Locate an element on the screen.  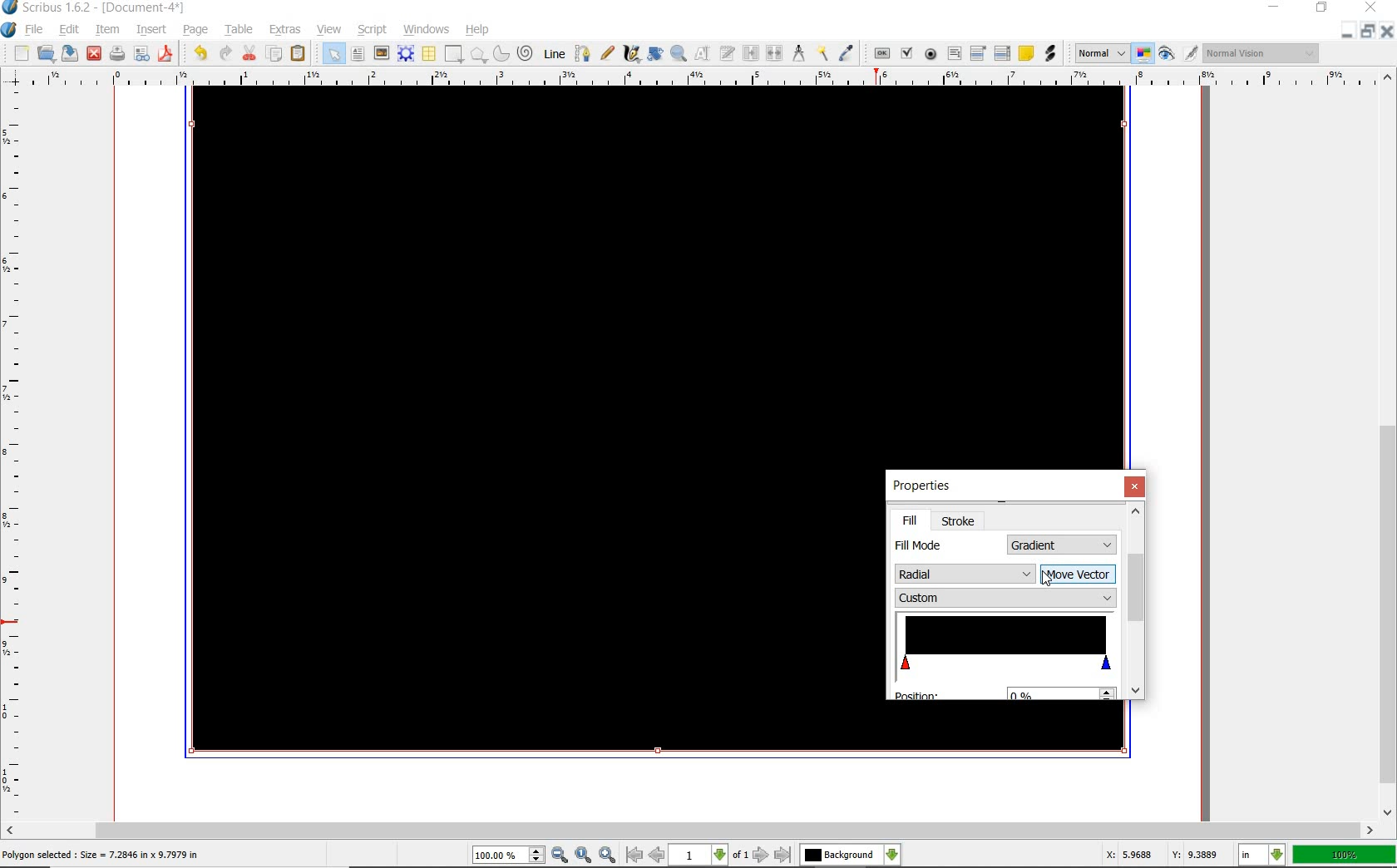
solid is located at coordinates (1063, 544).